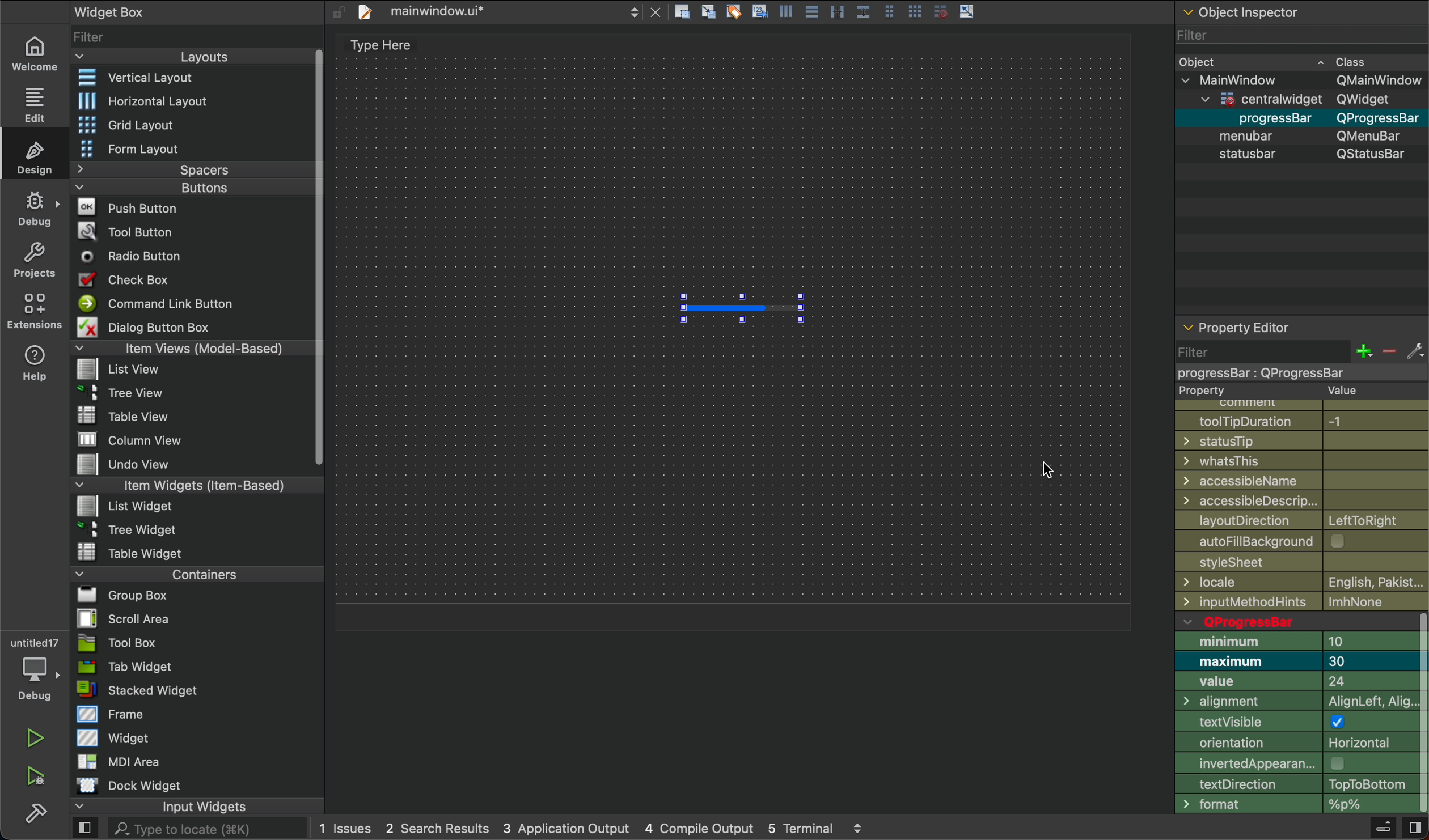 This screenshot has height=840, width=1429. What do you see at coordinates (188, 79) in the screenshot?
I see `vertical layout` at bounding box center [188, 79].